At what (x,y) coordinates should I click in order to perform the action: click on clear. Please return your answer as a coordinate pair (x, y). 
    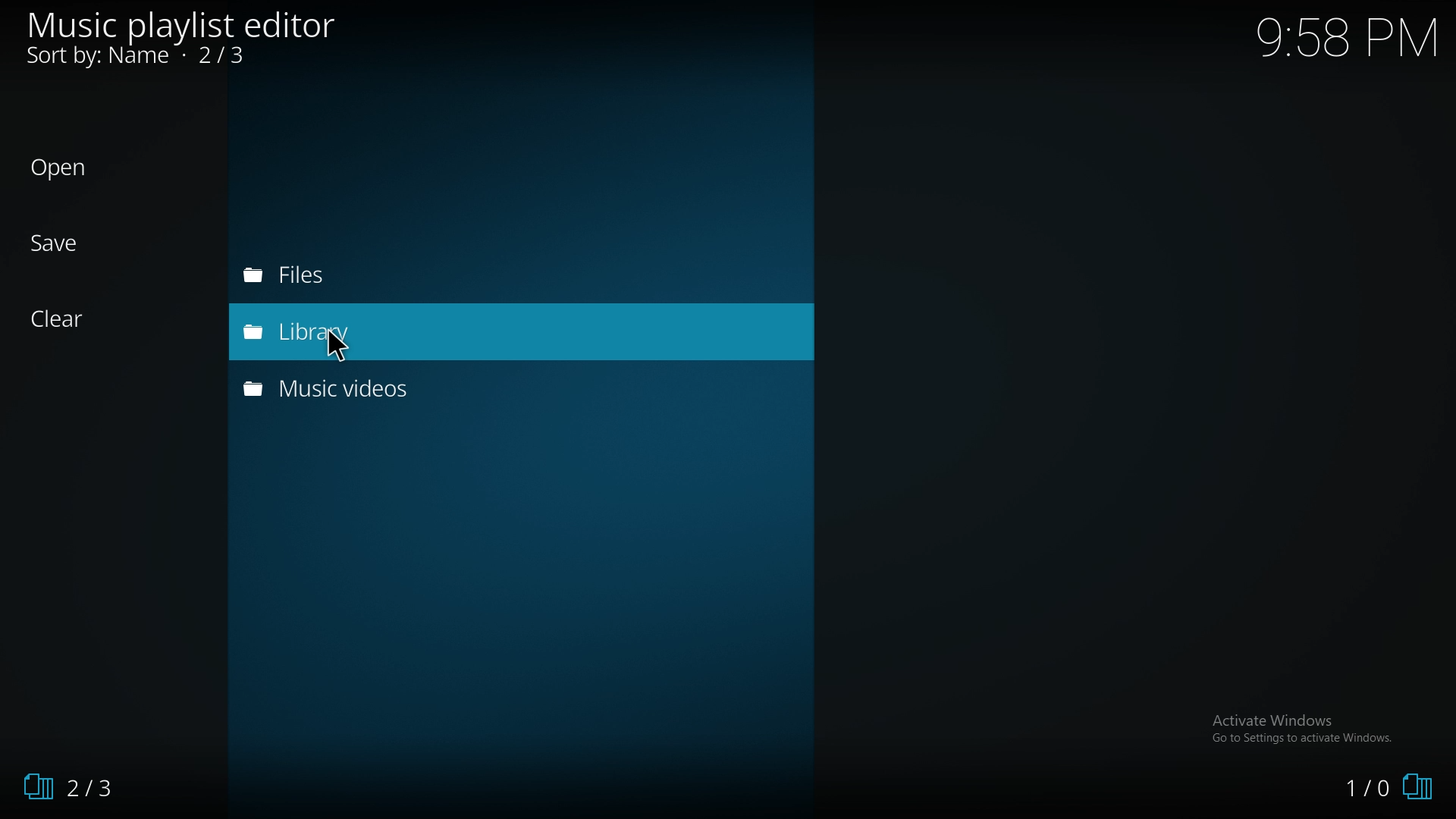
    Looking at the image, I should click on (106, 319).